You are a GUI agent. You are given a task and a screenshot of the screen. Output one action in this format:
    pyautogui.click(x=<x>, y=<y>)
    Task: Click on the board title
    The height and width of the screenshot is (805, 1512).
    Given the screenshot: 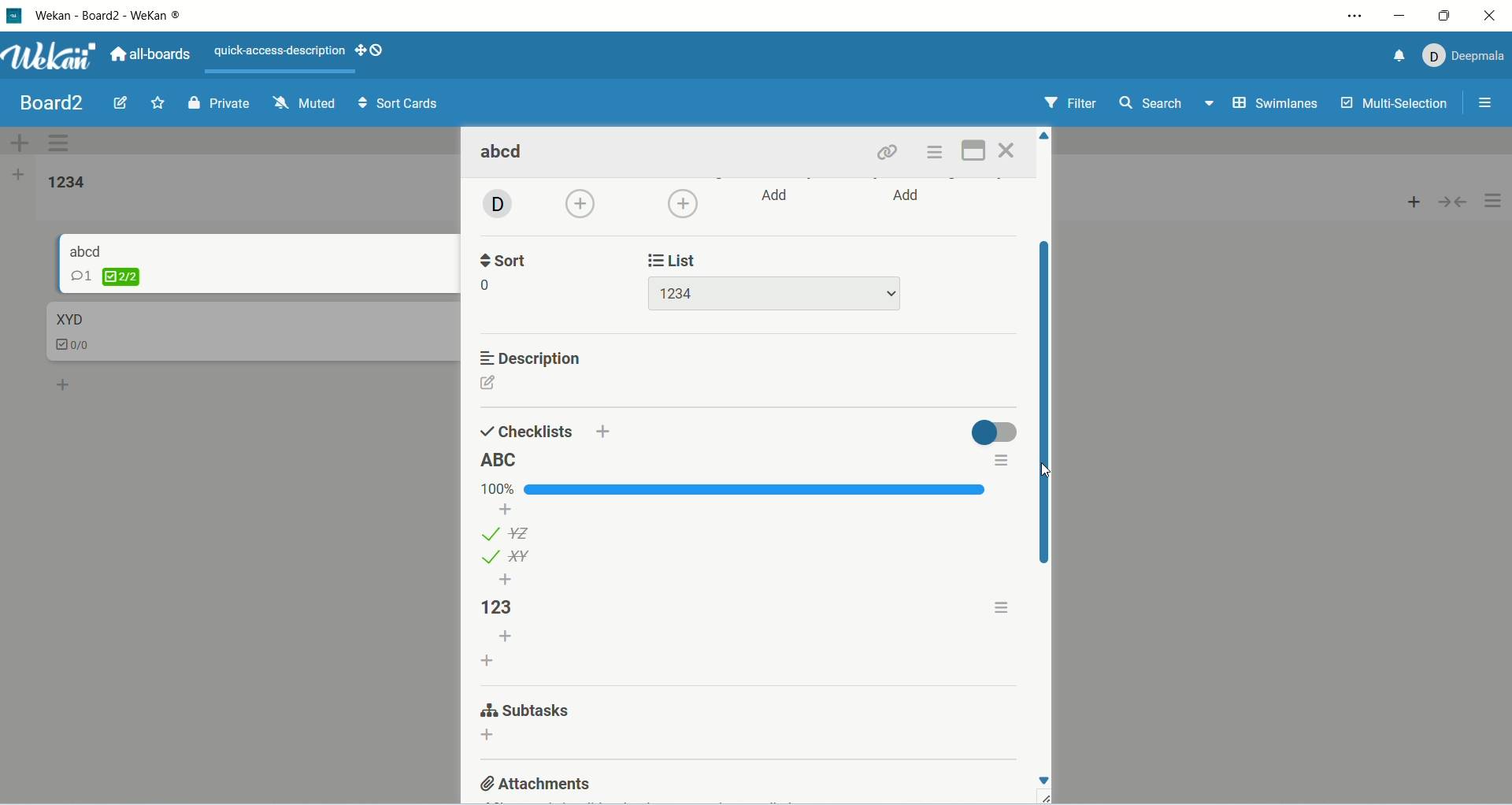 What is the action you would take?
    pyautogui.click(x=48, y=102)
    